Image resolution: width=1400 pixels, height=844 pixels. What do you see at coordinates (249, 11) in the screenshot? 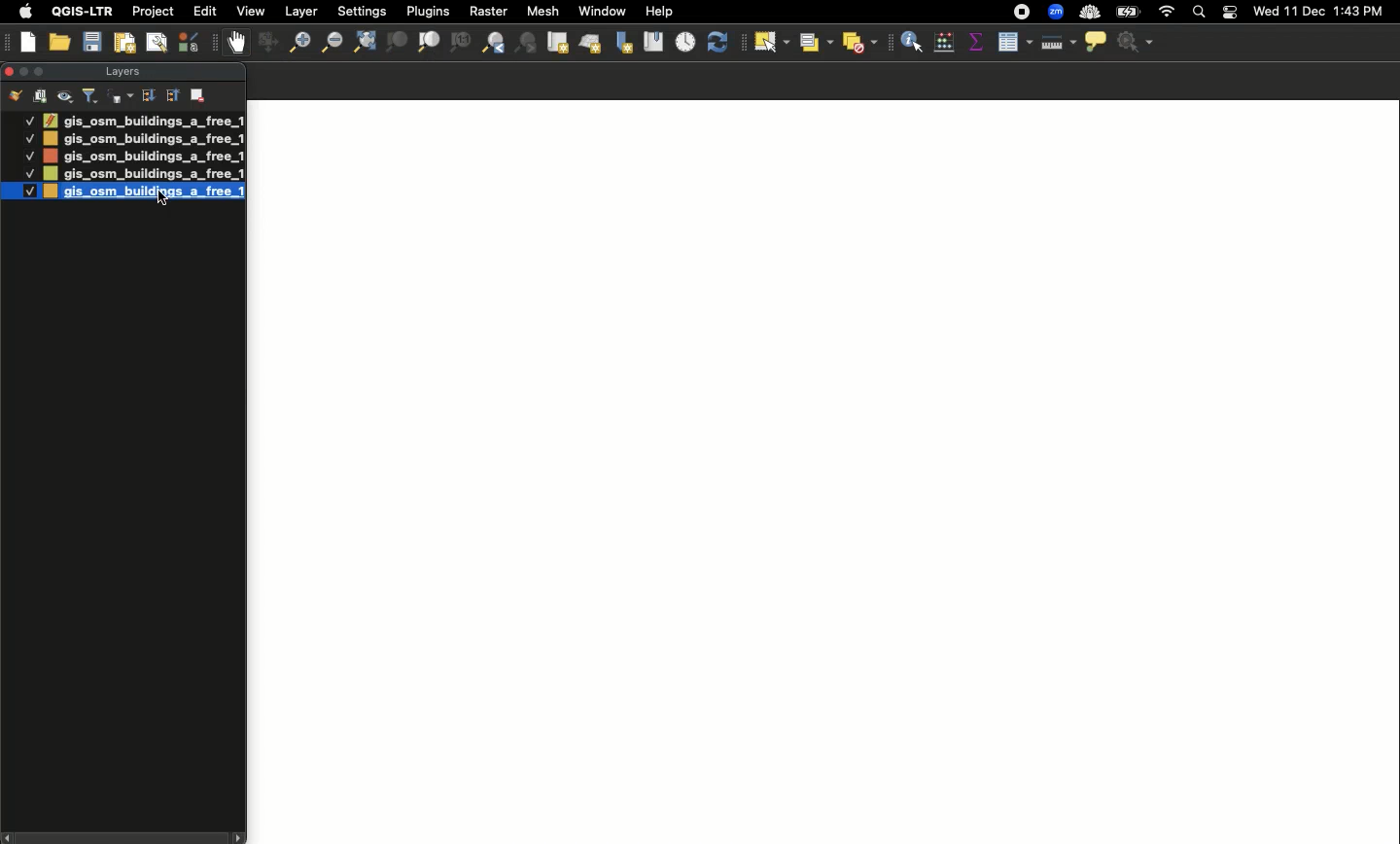
I see `View` at bounding box center [249, 11].